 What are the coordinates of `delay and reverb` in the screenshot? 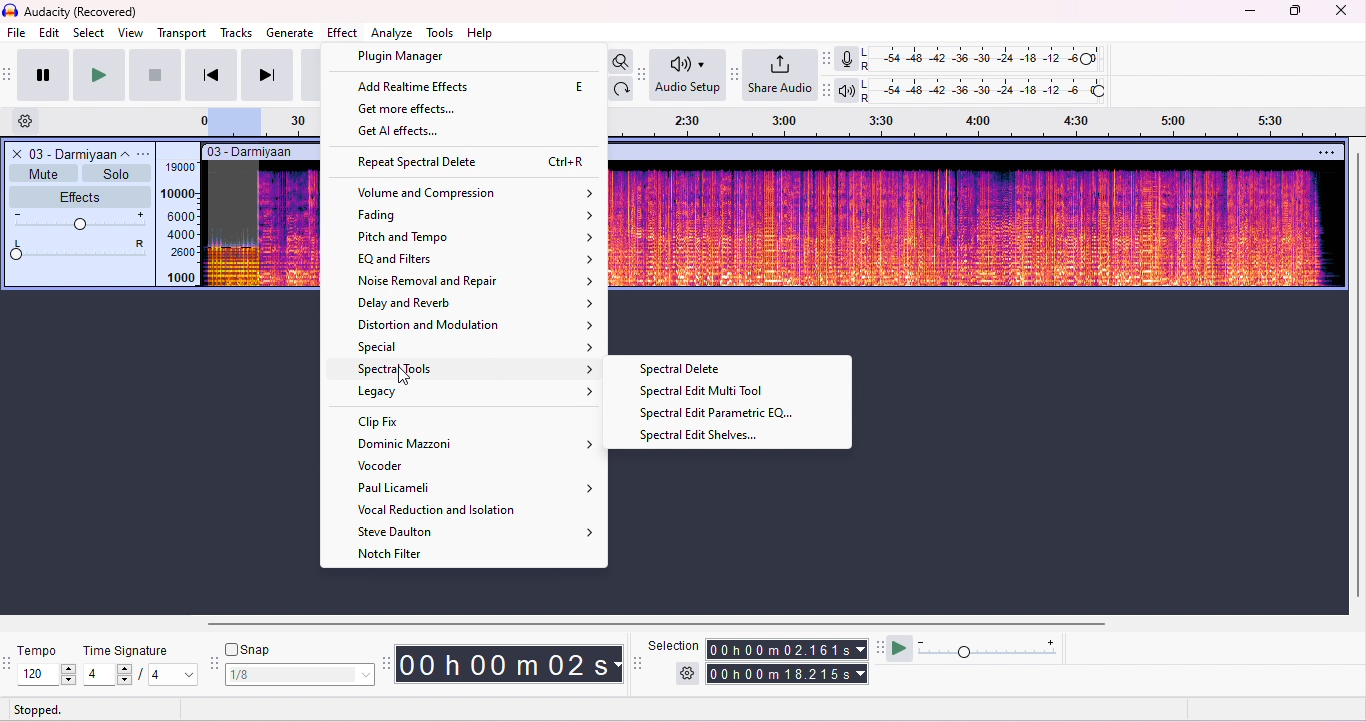 It's located at (477, 303).